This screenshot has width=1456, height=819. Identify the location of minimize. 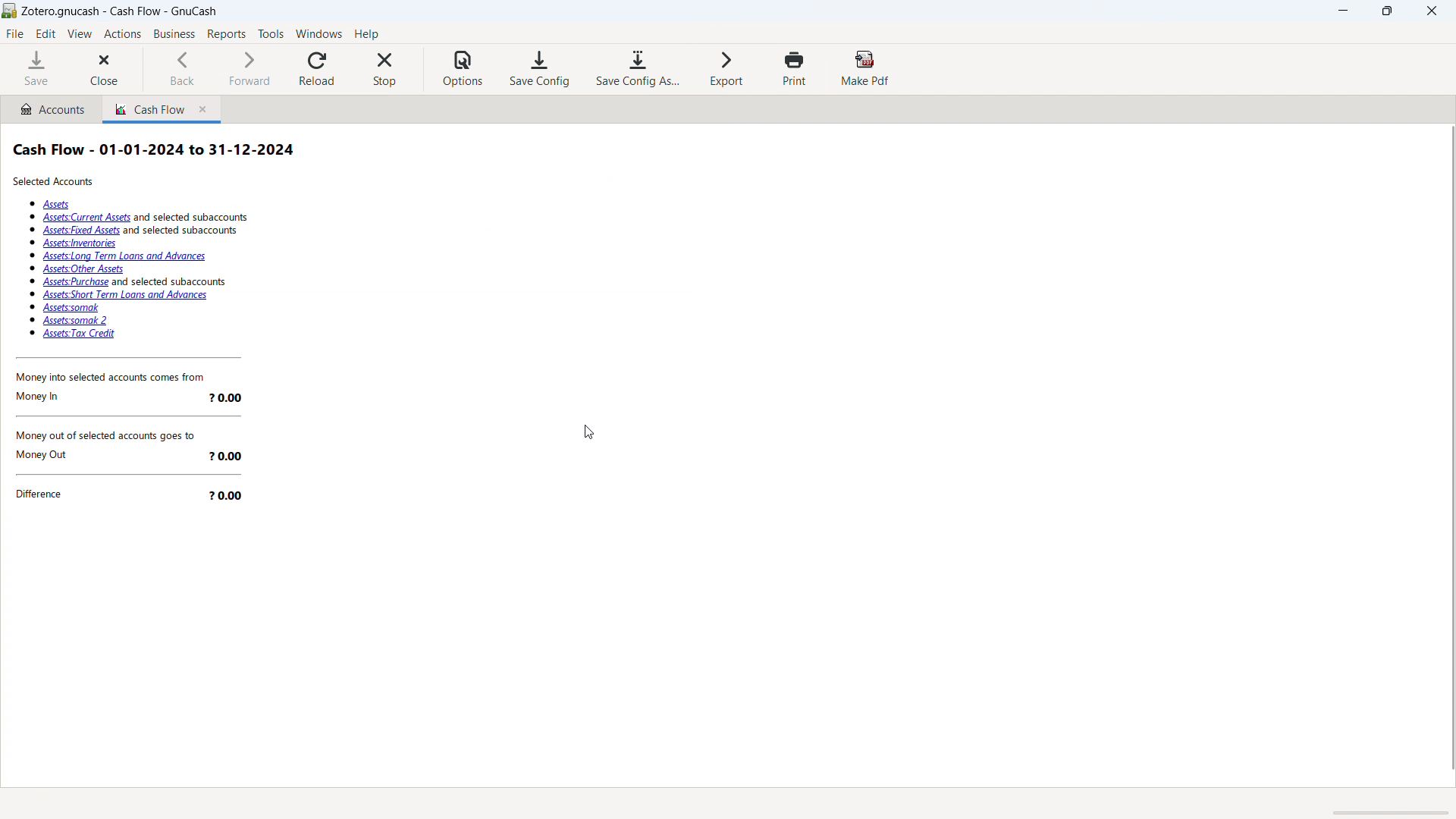
(1344, 11).